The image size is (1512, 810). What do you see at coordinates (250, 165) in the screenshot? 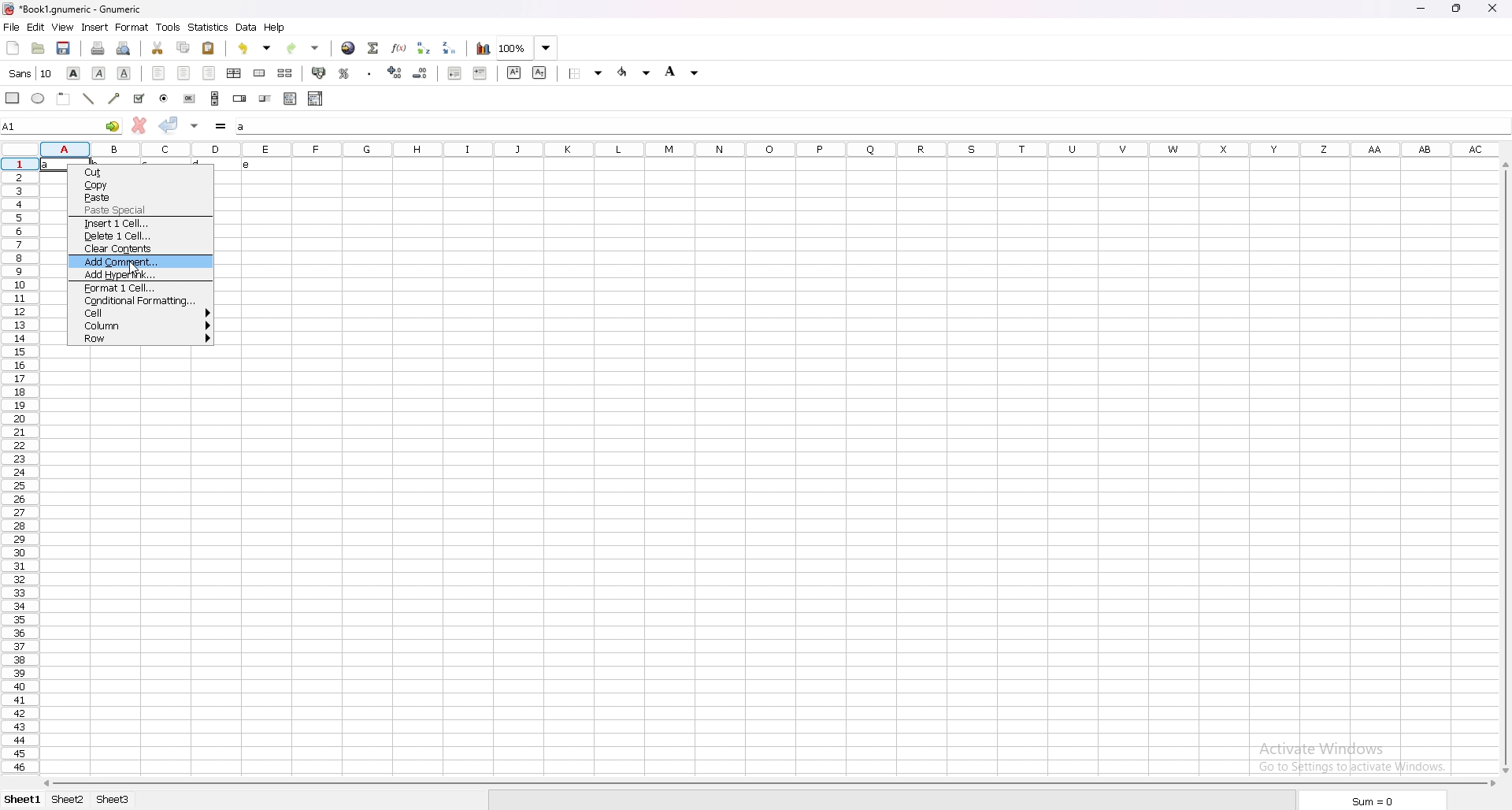
I see `text` at bounding box center [250, 165].